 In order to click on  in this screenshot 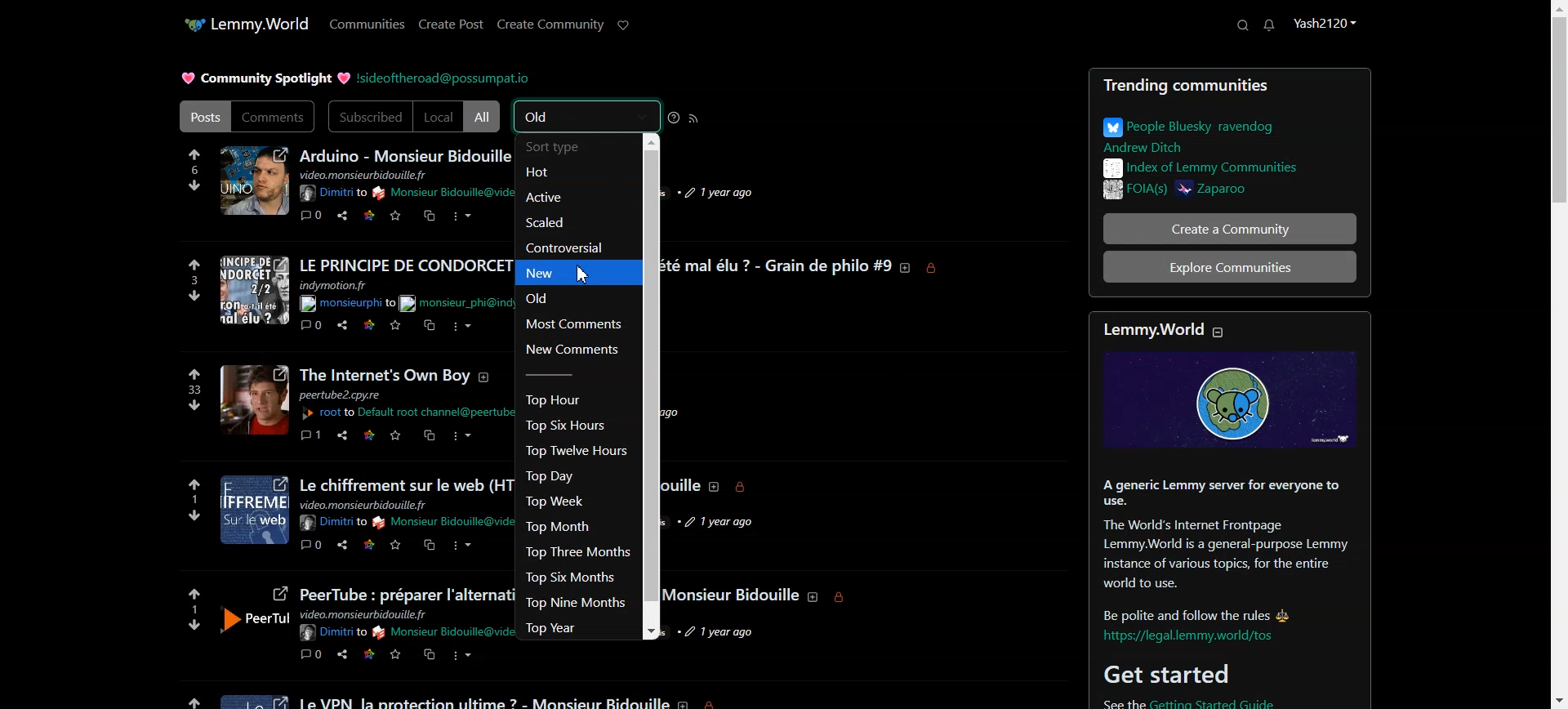, I will do `click(906, 267)`.